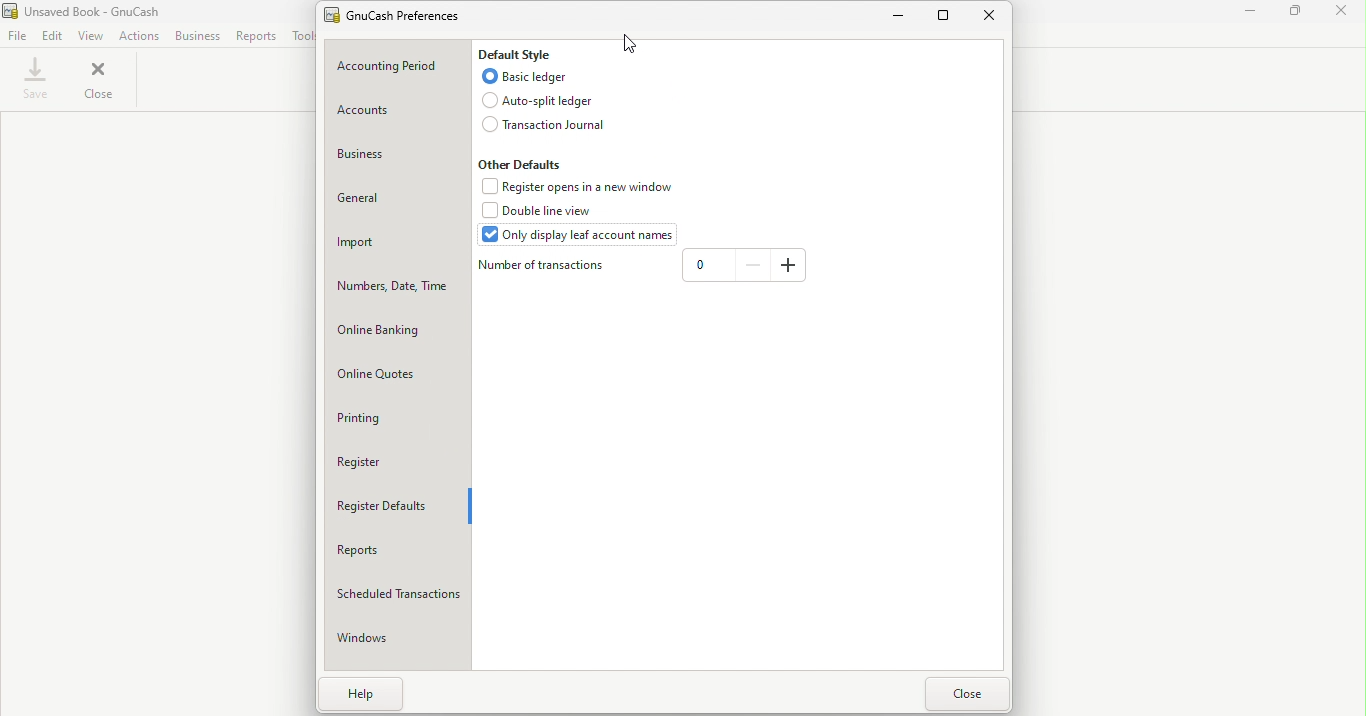 This screenshot has height=716, width=1366. What do you see at coordinates (393, 288) in the screenshot?
I see `Numbers, date, time` at bounding box center [393, 288].